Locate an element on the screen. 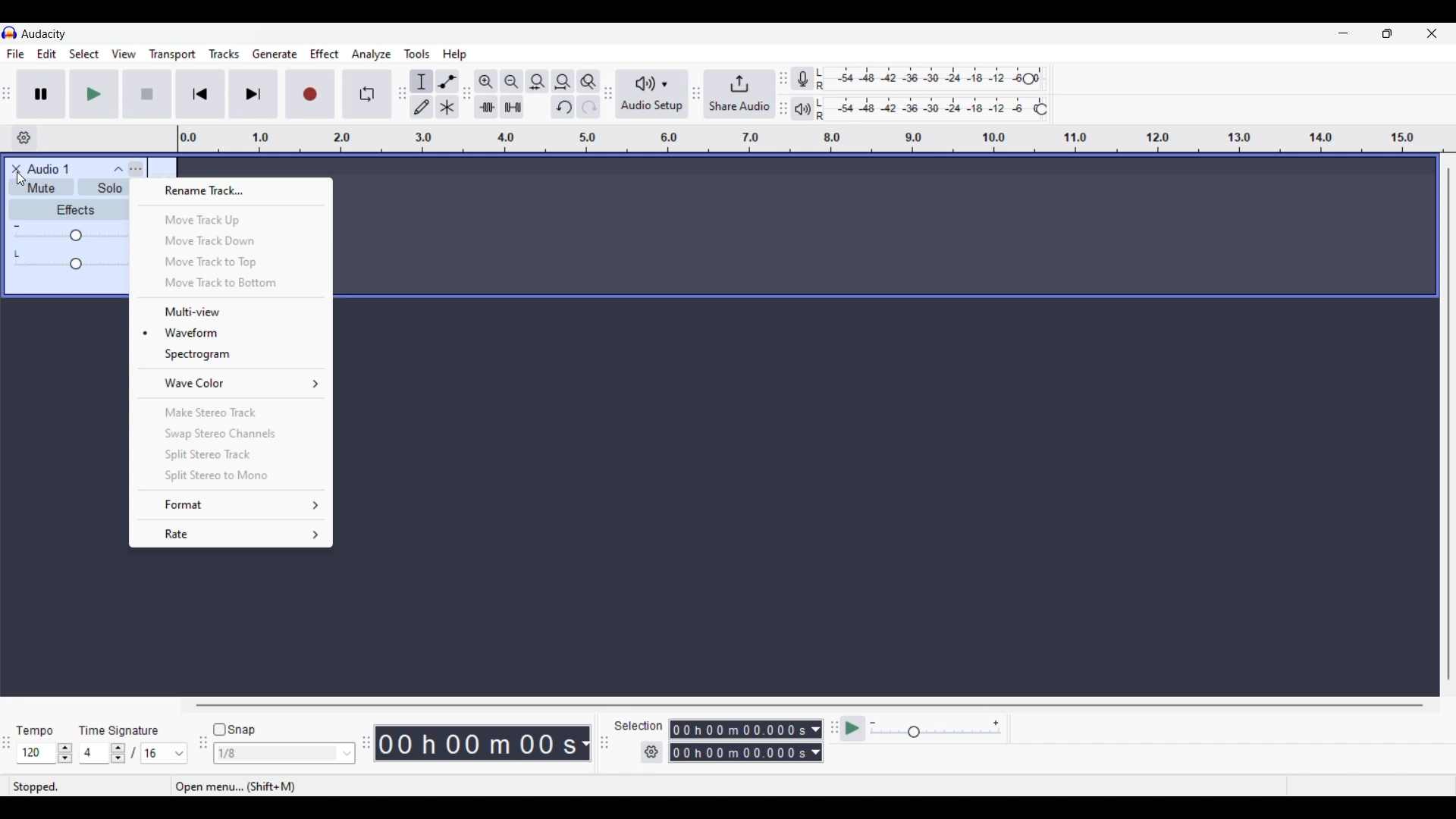 The width and height of the screenshot is (1456, 819). Multitool is located at coordinates (447, 108).